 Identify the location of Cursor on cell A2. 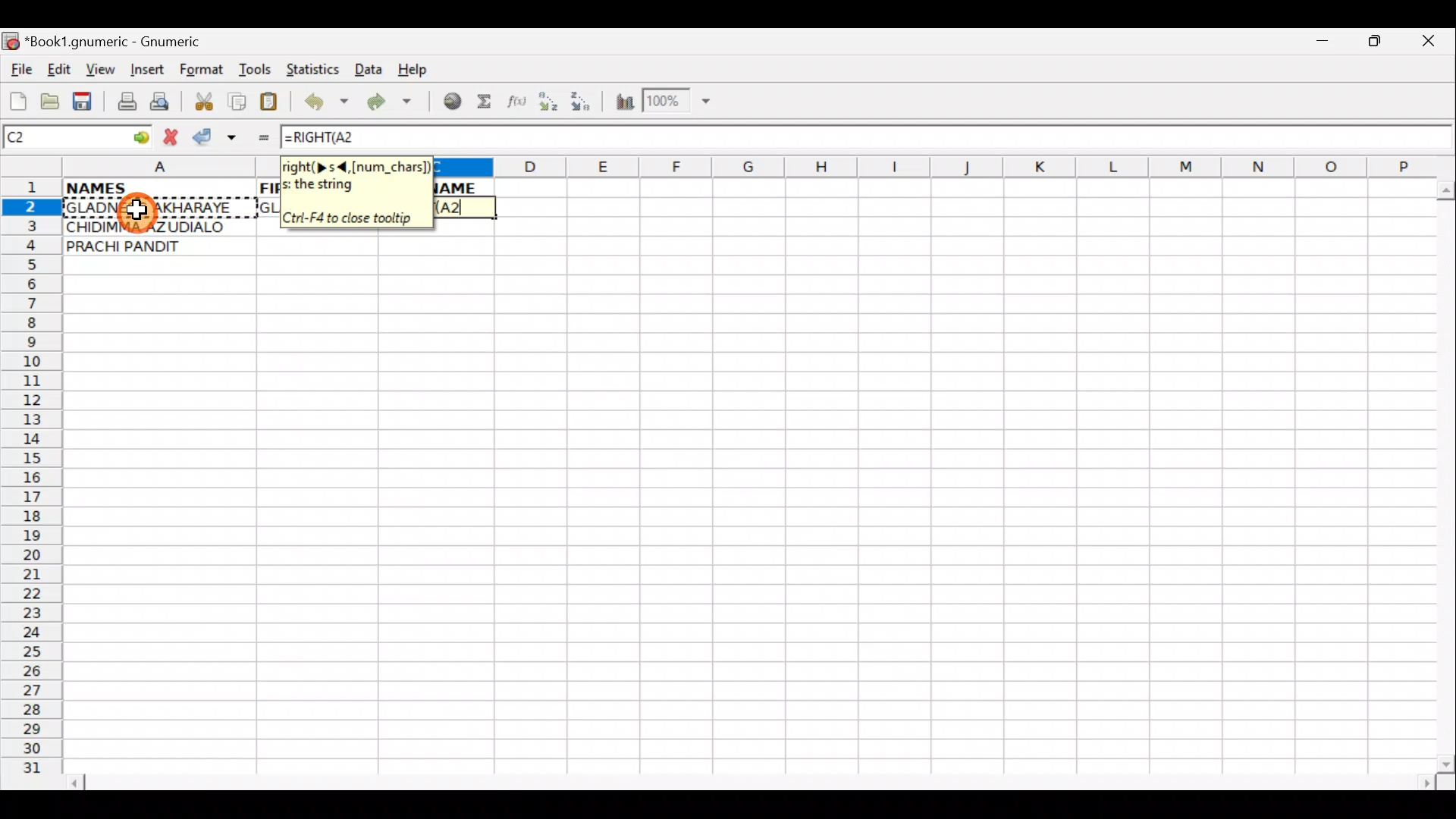
(137, 207).